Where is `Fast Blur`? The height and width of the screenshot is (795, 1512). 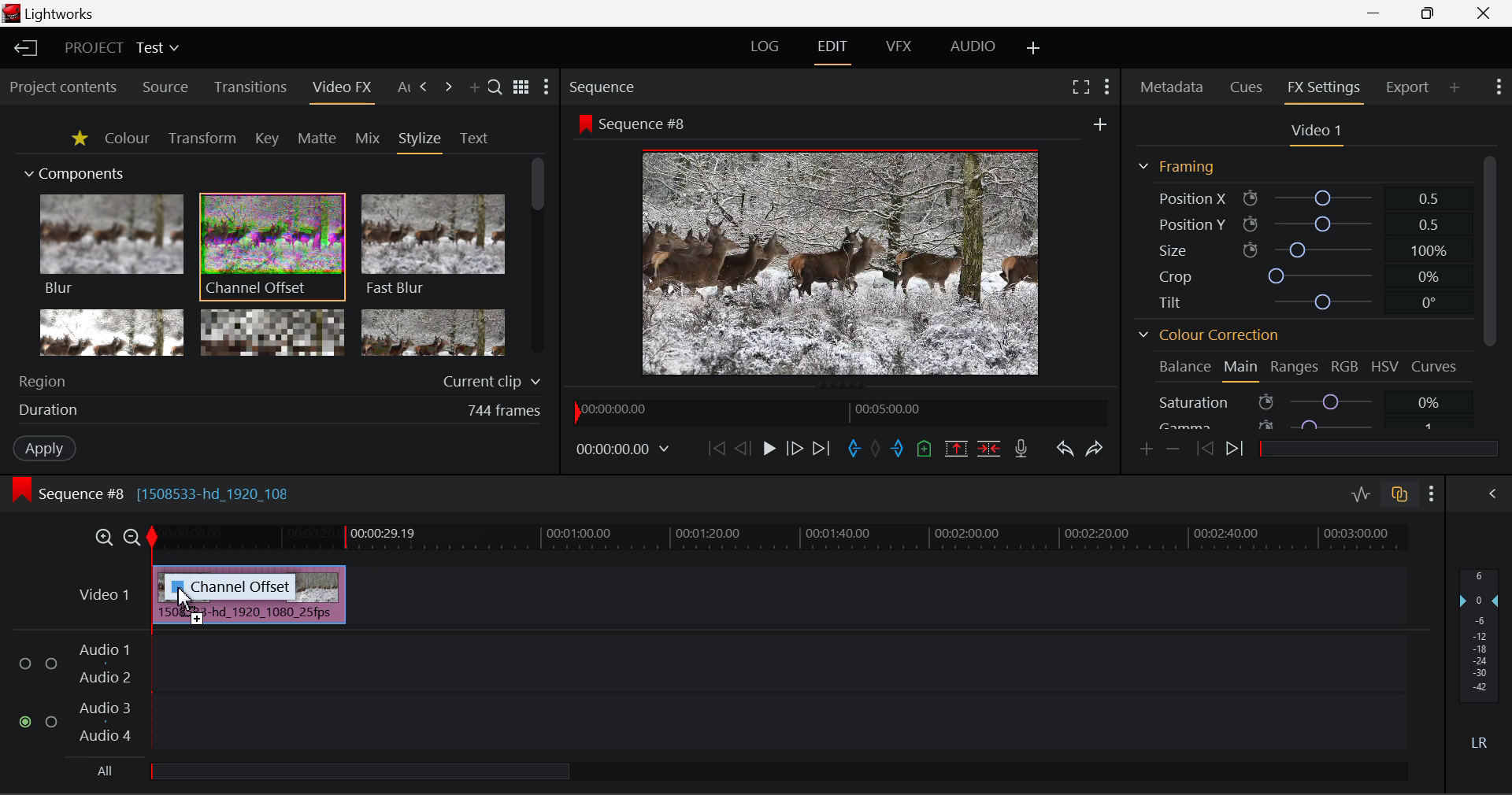 Fast Blur is located at coordinates (434, 246).